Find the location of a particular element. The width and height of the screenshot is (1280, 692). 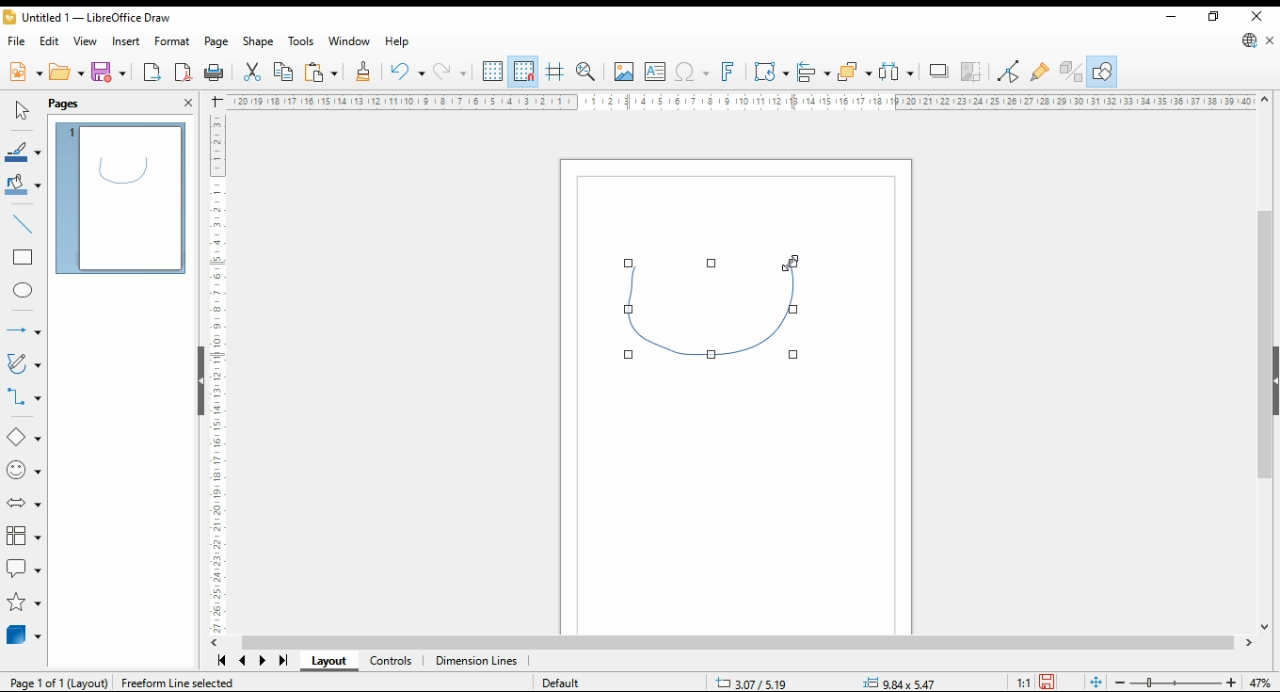

Ruler is located at coordinates (740, 101).